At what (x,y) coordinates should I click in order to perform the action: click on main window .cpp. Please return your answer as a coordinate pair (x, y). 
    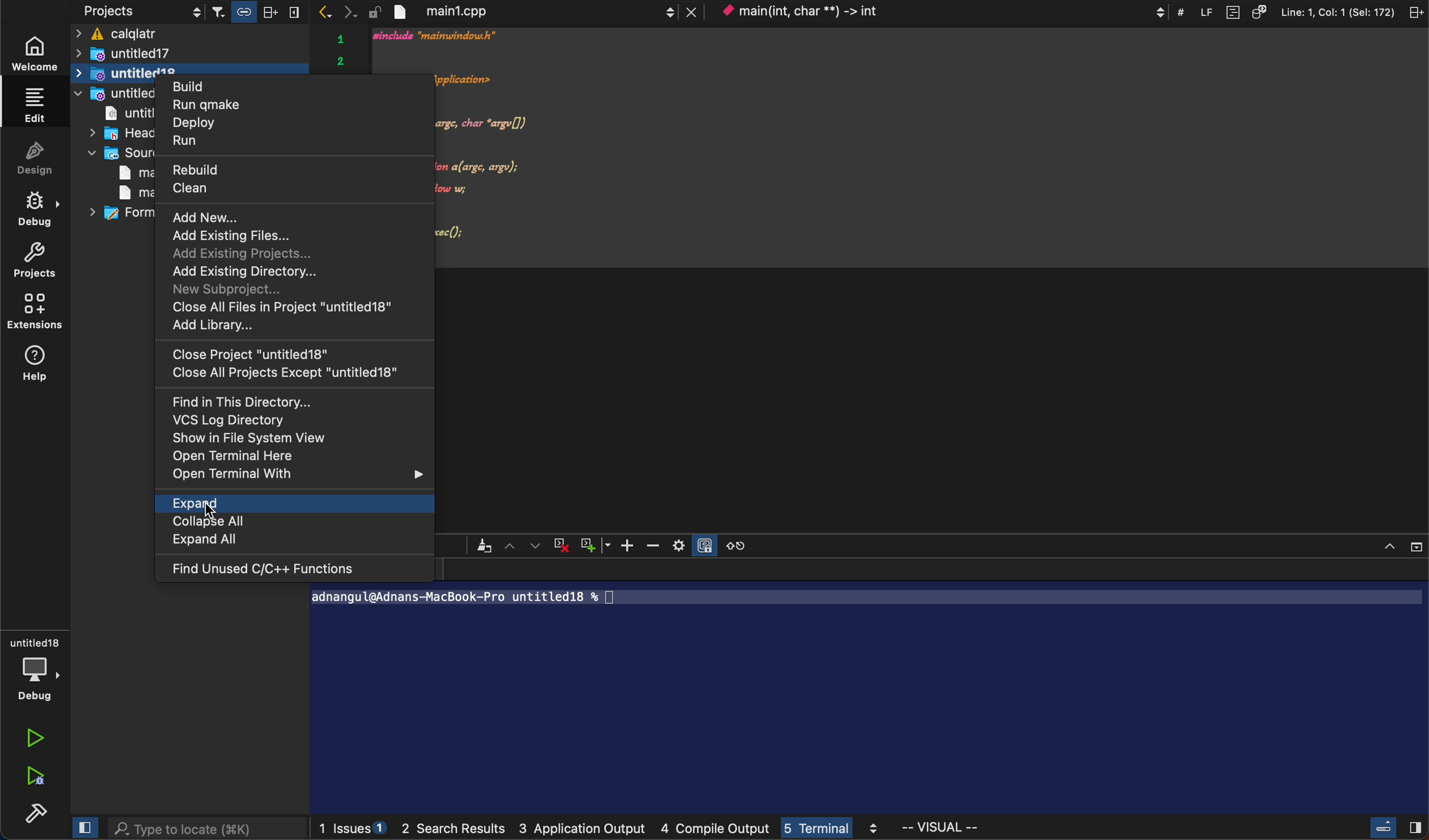
    Looking at the image, I should click on (130, 192).